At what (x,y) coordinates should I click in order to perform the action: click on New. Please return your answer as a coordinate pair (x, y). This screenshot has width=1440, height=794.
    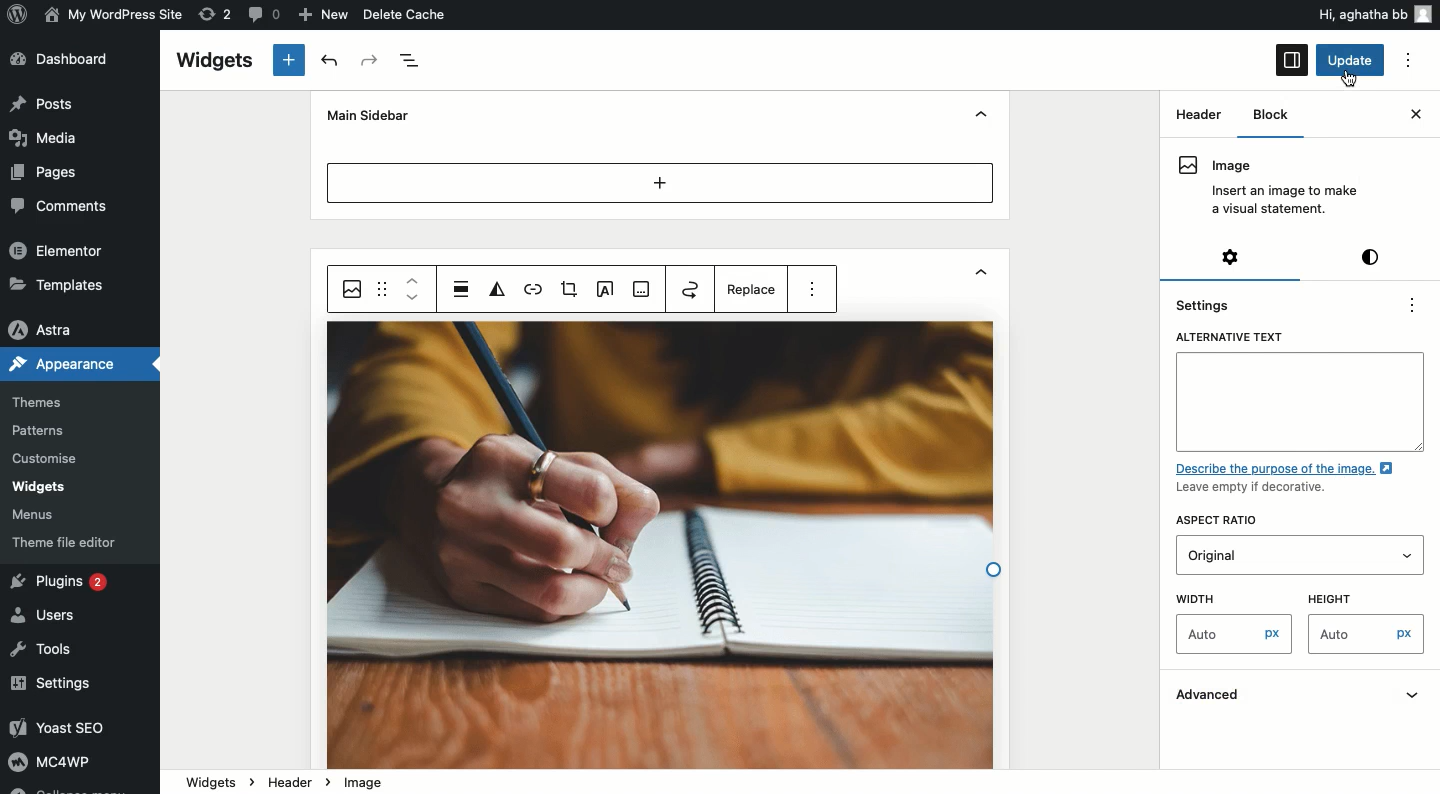
    Looking at the image, I should click on (326, 15).